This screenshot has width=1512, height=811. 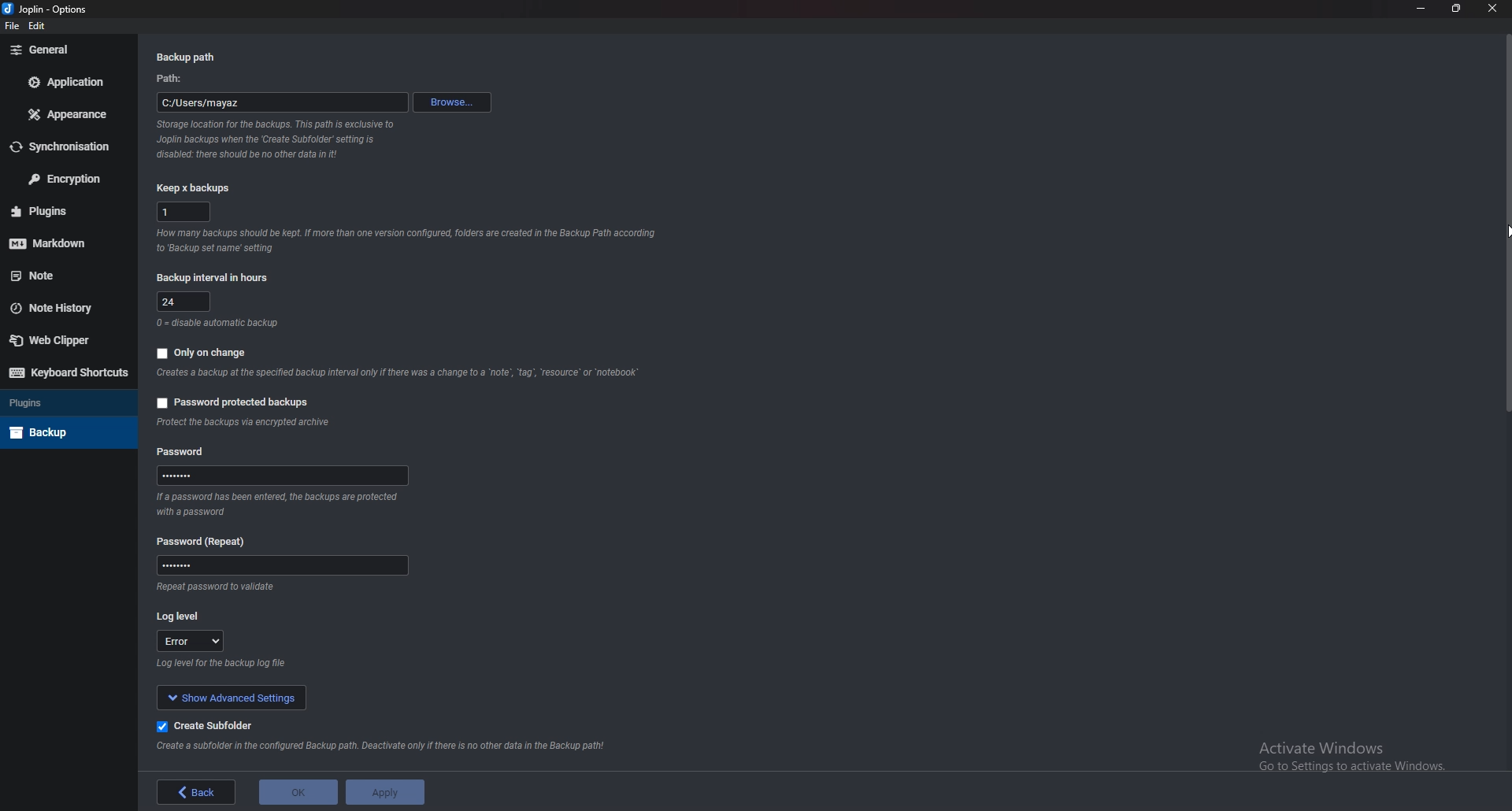 I want to click on path, so click(x=170, y=79).